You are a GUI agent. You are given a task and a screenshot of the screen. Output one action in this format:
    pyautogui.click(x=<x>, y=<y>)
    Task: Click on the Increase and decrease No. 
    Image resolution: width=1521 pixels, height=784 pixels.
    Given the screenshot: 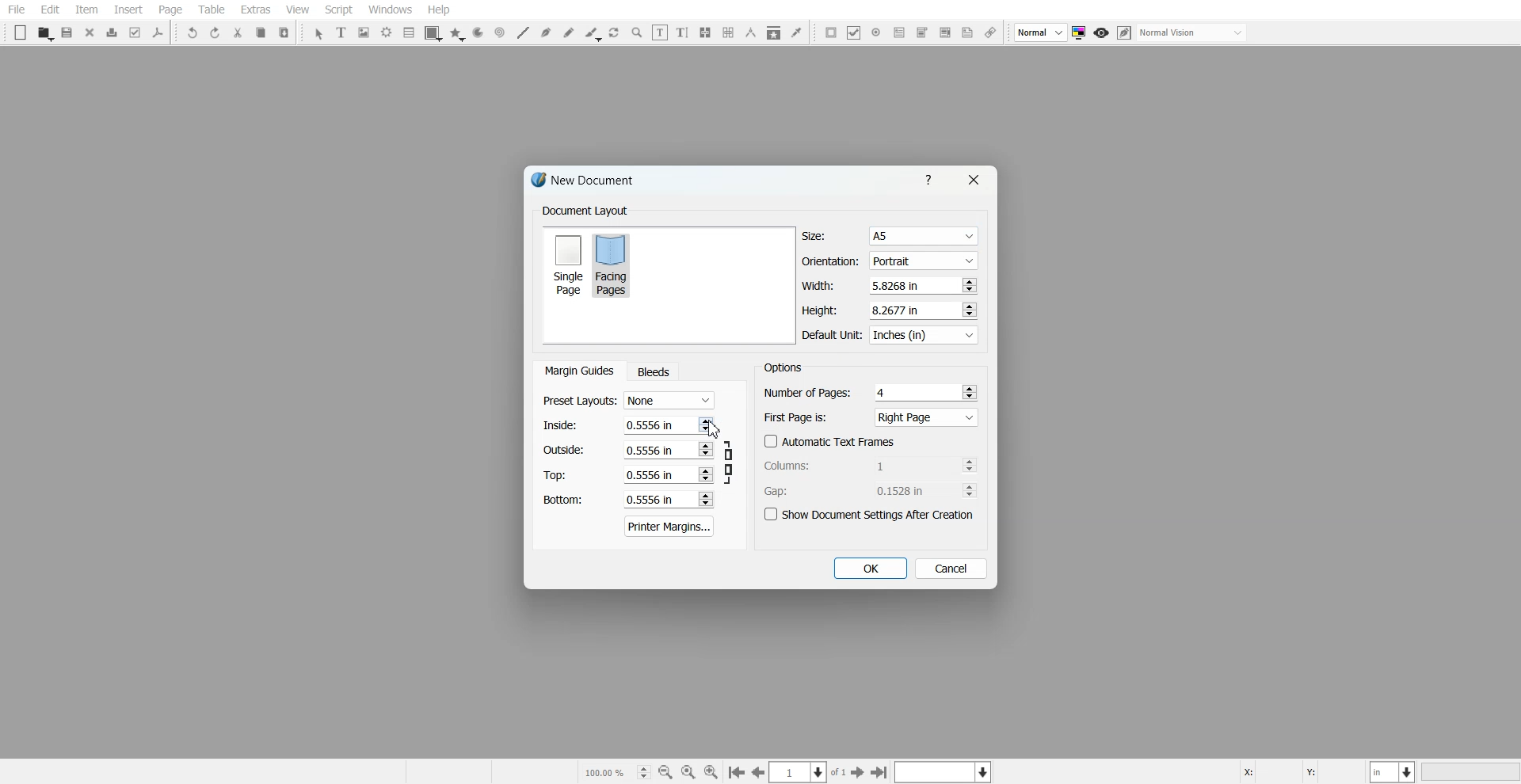 What is the action you would take?
    pyautogui.click(x=970, y=391)
    